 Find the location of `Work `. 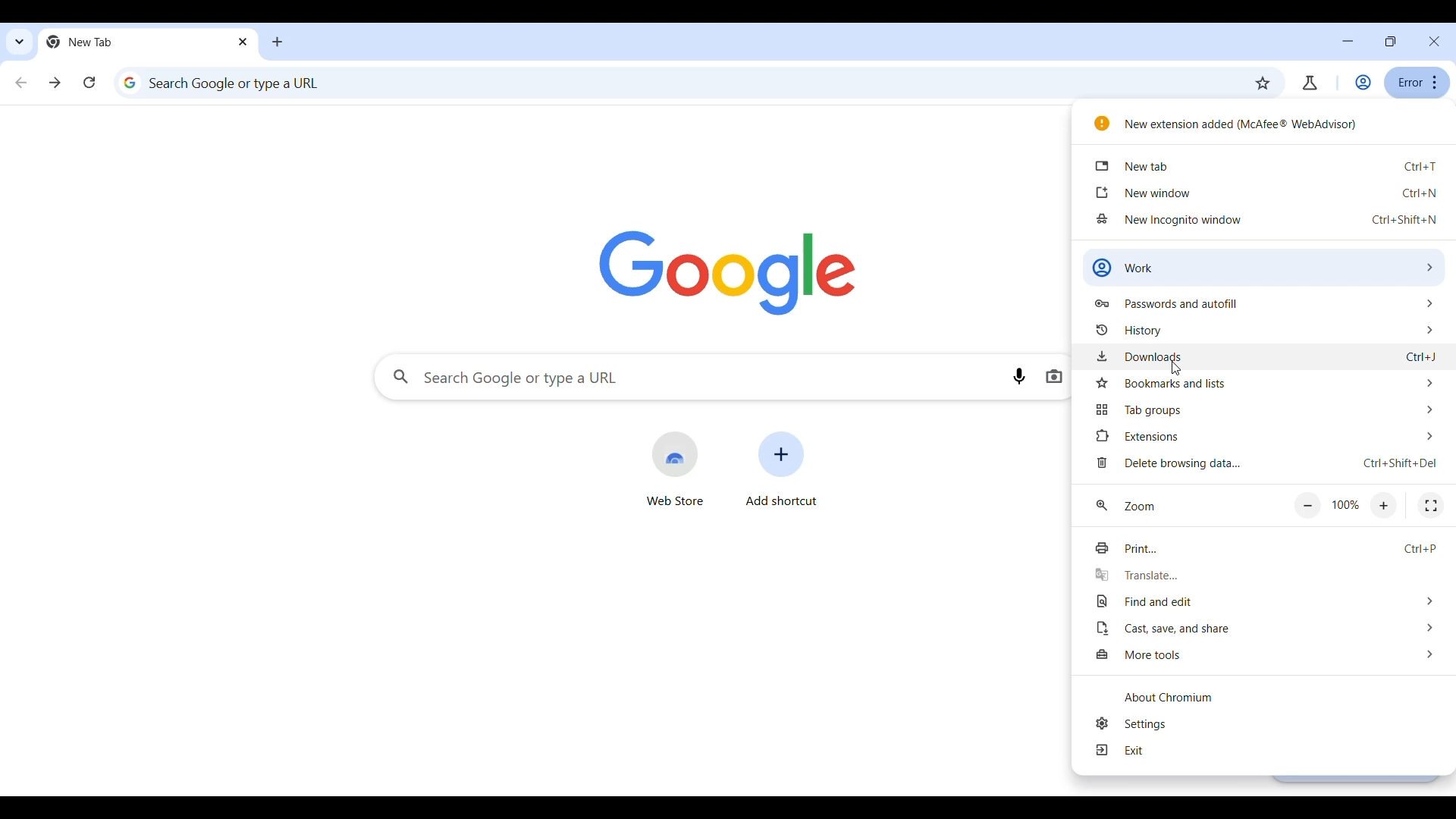

Work  is located at coordinates (1260, 267).